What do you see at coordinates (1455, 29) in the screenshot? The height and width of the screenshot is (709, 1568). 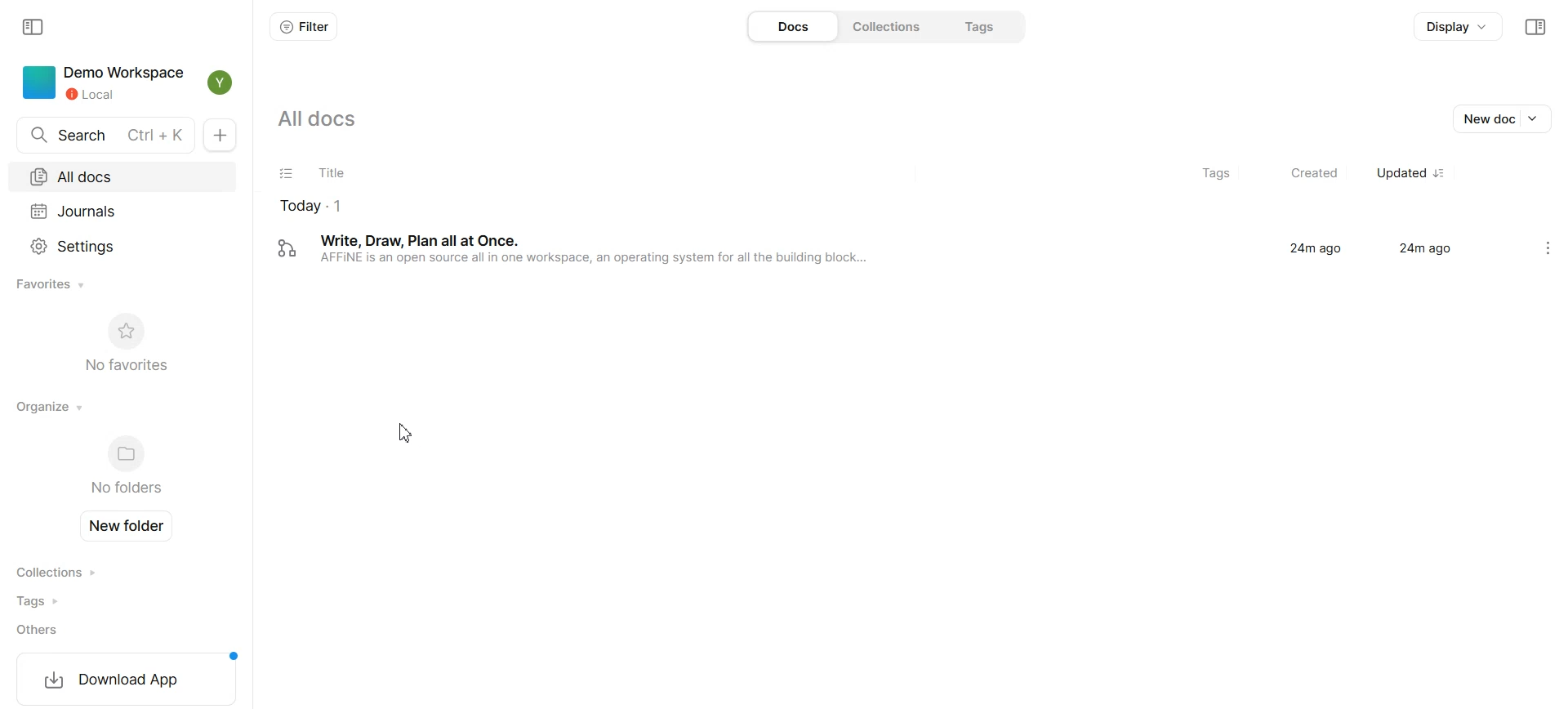 I see `Display` at bounding box center [1455, 29].